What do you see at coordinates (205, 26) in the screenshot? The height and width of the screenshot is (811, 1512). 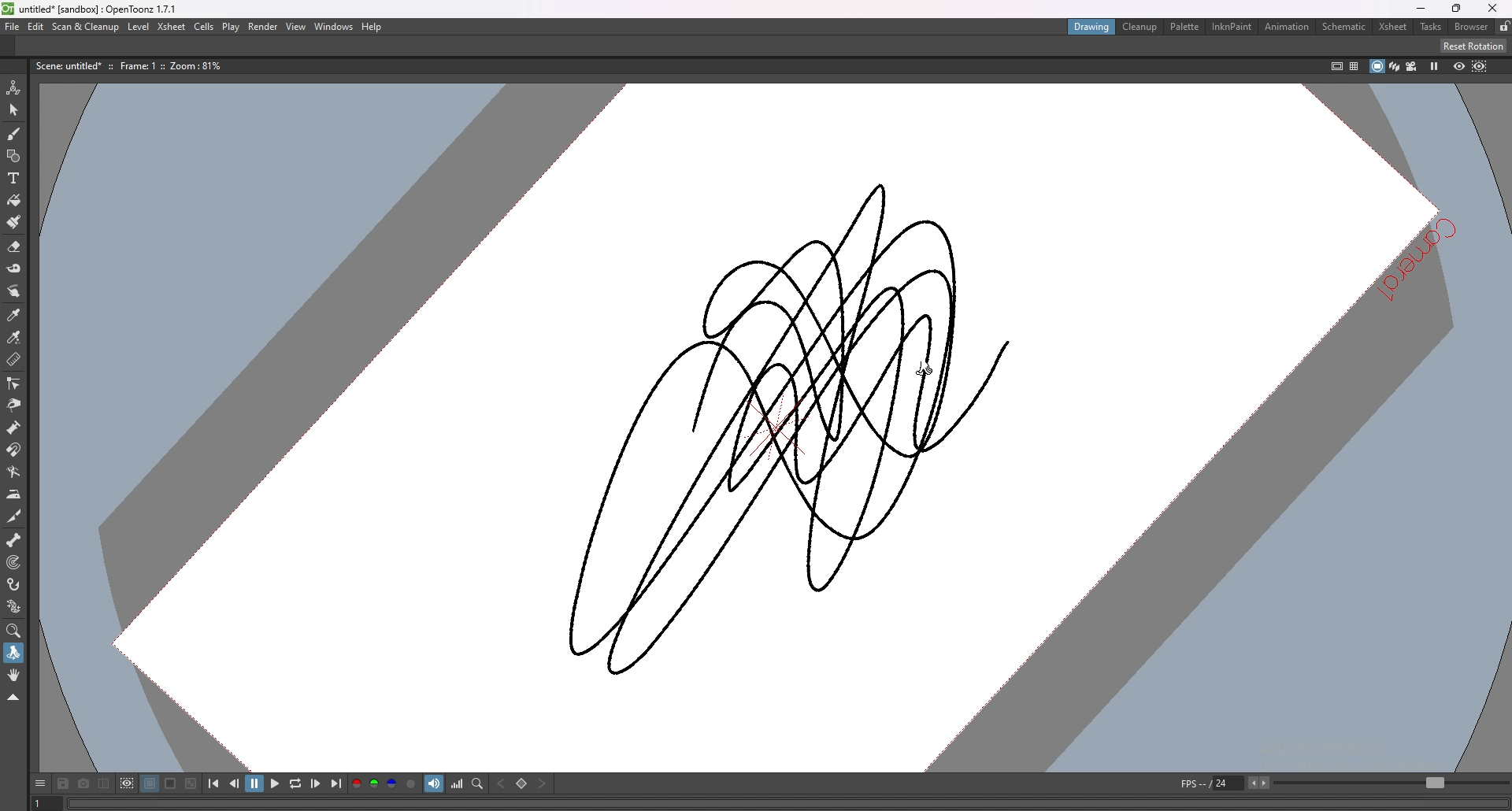 I see `cells` at bounding box center [205, 26].